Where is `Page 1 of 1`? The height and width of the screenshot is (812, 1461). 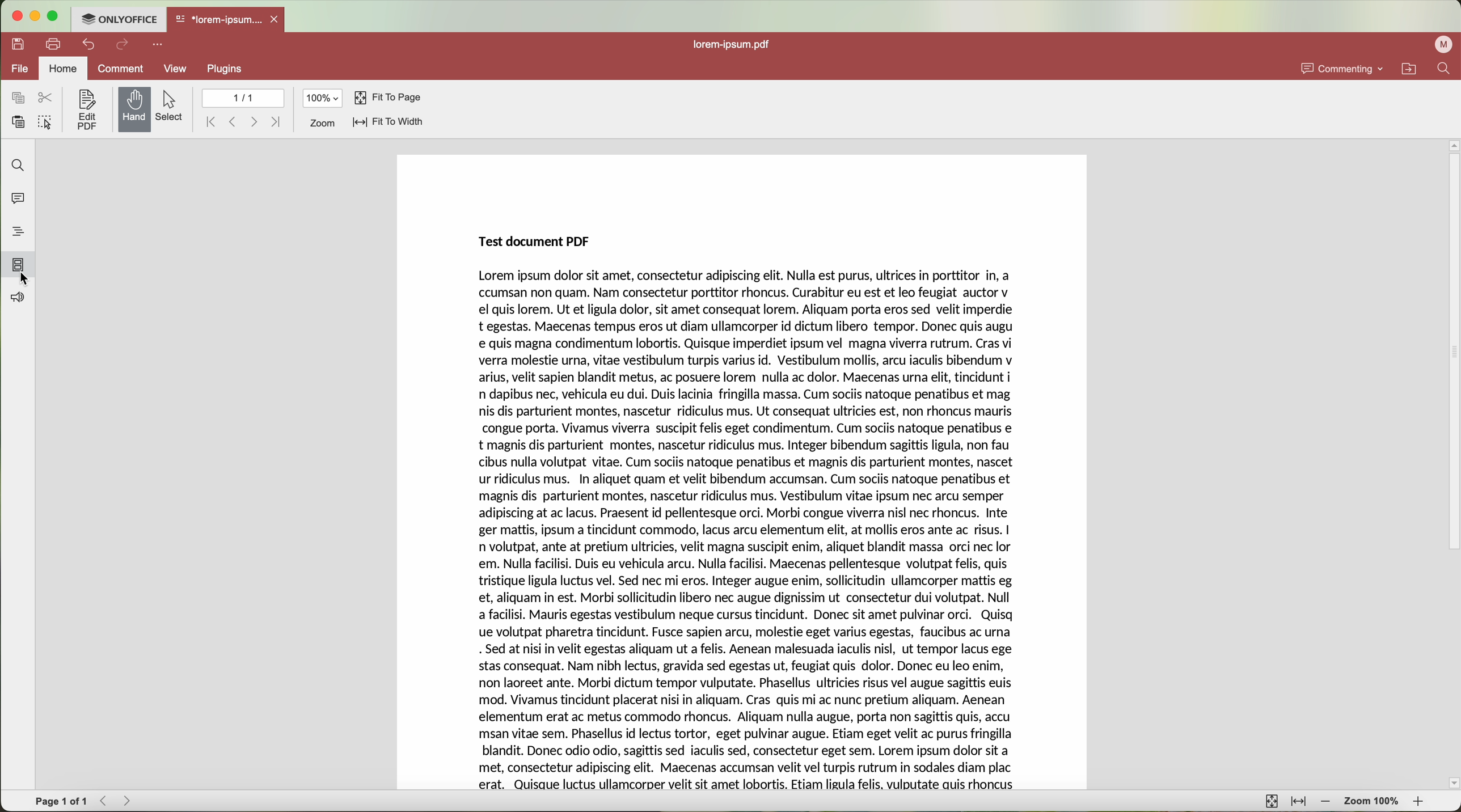 Page 1 of 1 is located at coordinates (60, 801).